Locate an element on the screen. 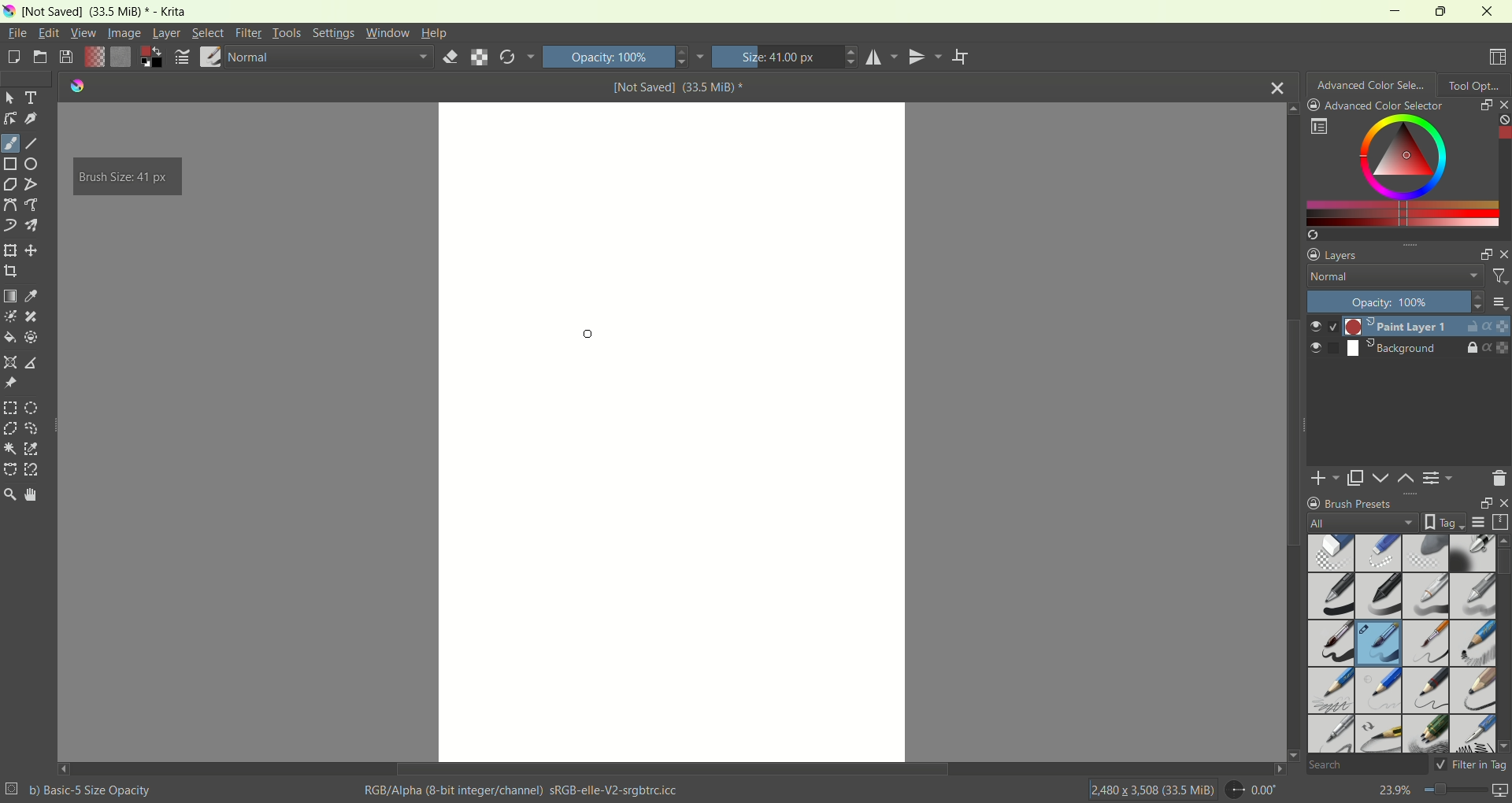 The height and width of the screenshot is (803, 1512). pencil 2 is located at coordinates (1426, 691).